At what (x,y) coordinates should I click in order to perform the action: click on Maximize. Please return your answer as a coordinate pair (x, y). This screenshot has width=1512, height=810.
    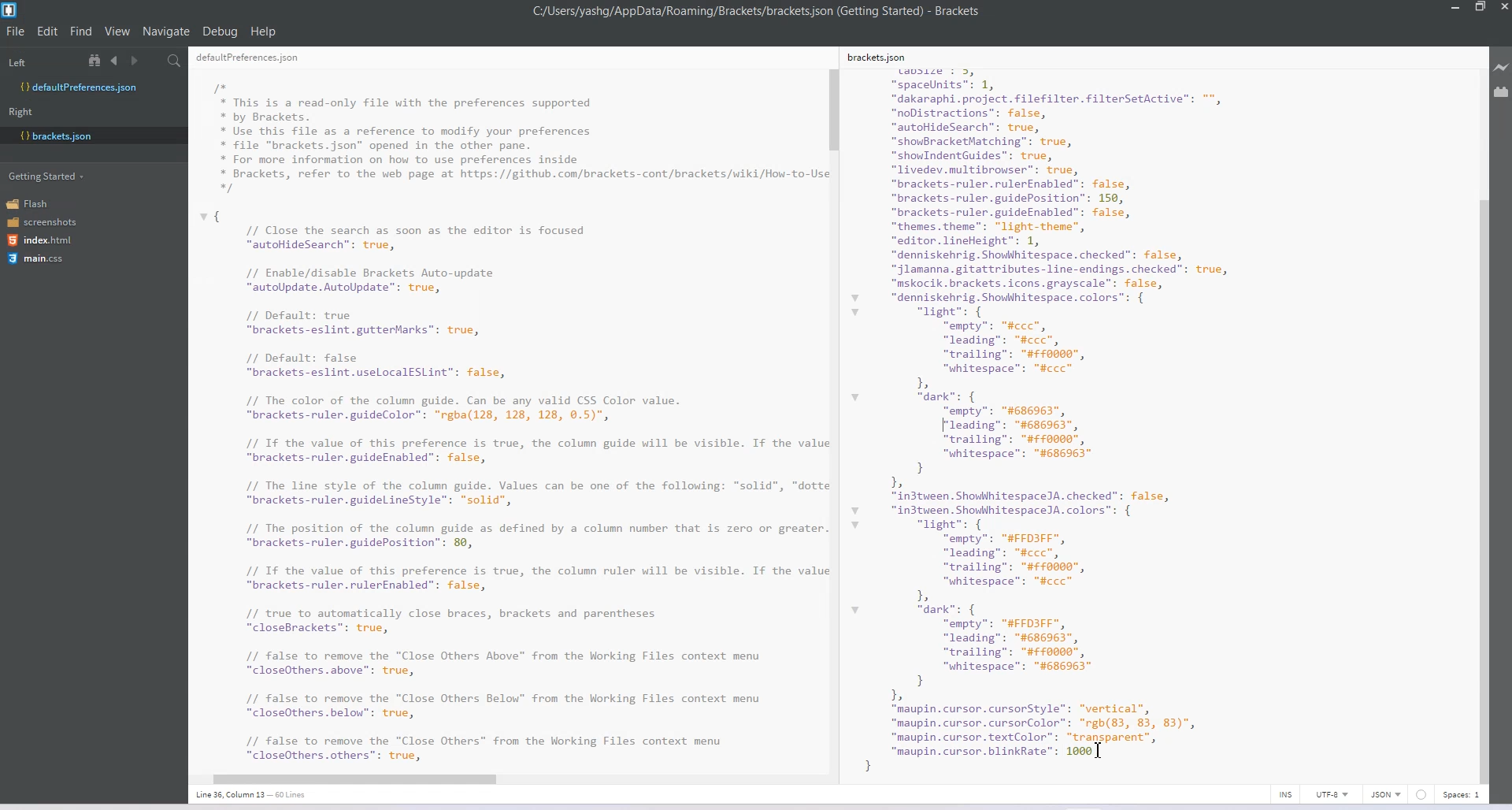
    Looking at the image, I should click on (1480, 8).